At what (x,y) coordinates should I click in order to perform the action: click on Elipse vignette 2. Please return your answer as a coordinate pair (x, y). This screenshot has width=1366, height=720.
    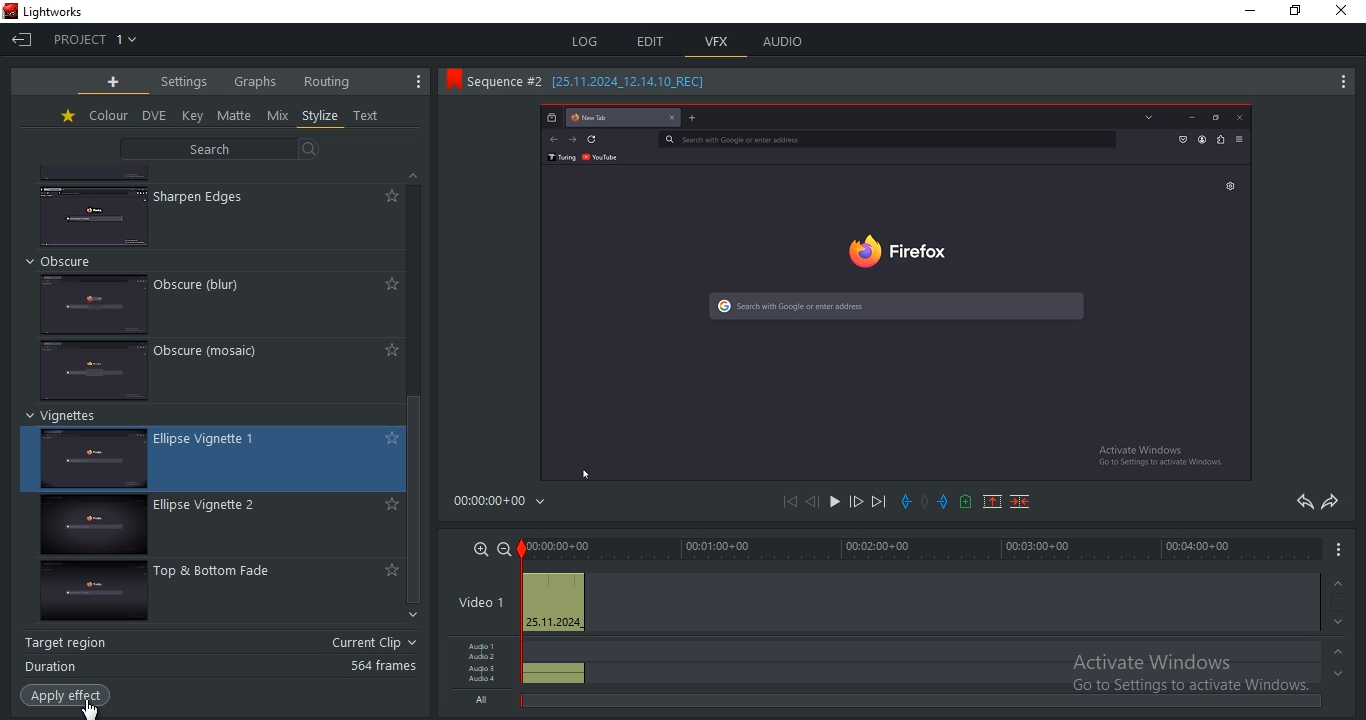
    Looking at the image, I should click on (221, 508).